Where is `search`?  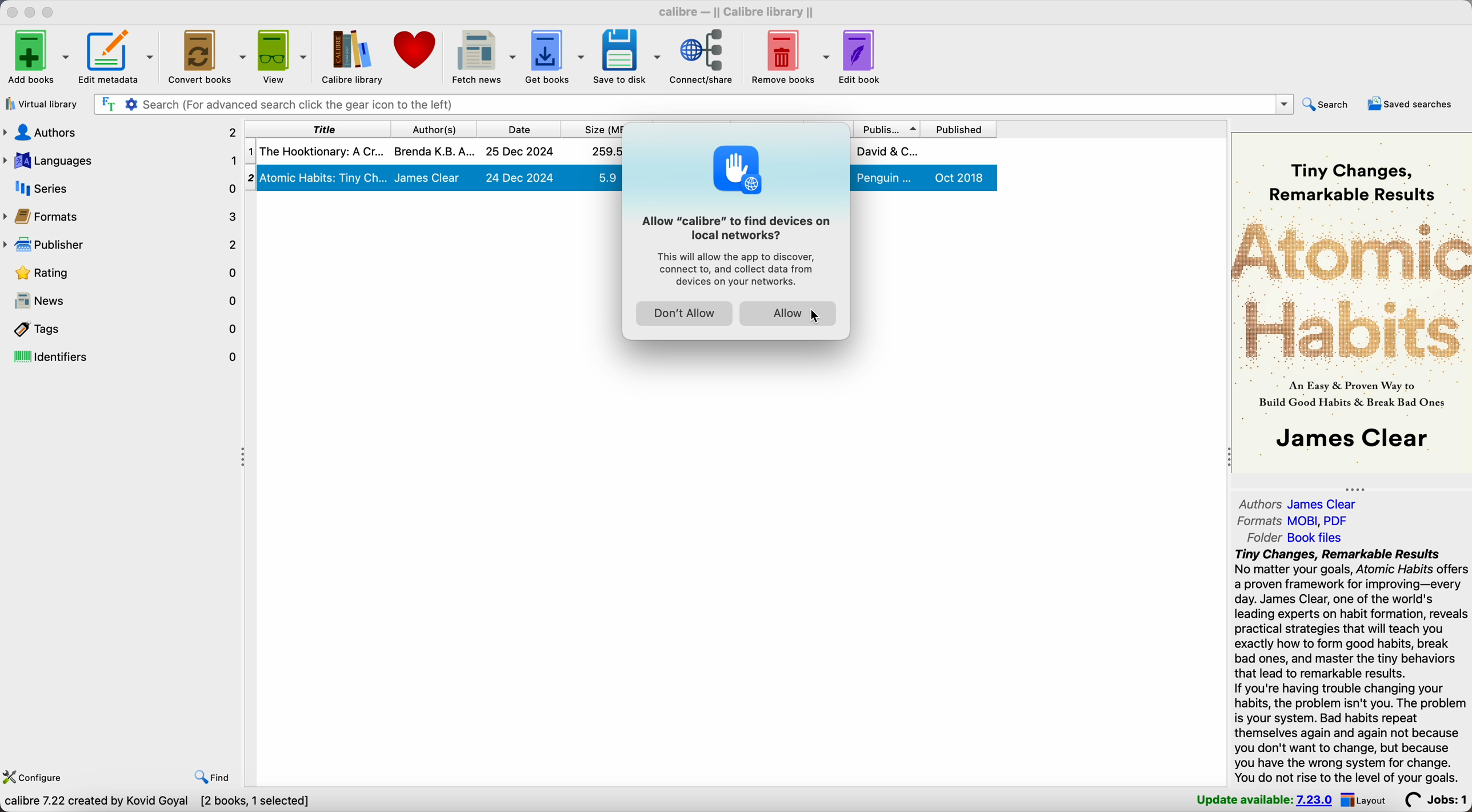 search is located at coordinates (1330, 105).